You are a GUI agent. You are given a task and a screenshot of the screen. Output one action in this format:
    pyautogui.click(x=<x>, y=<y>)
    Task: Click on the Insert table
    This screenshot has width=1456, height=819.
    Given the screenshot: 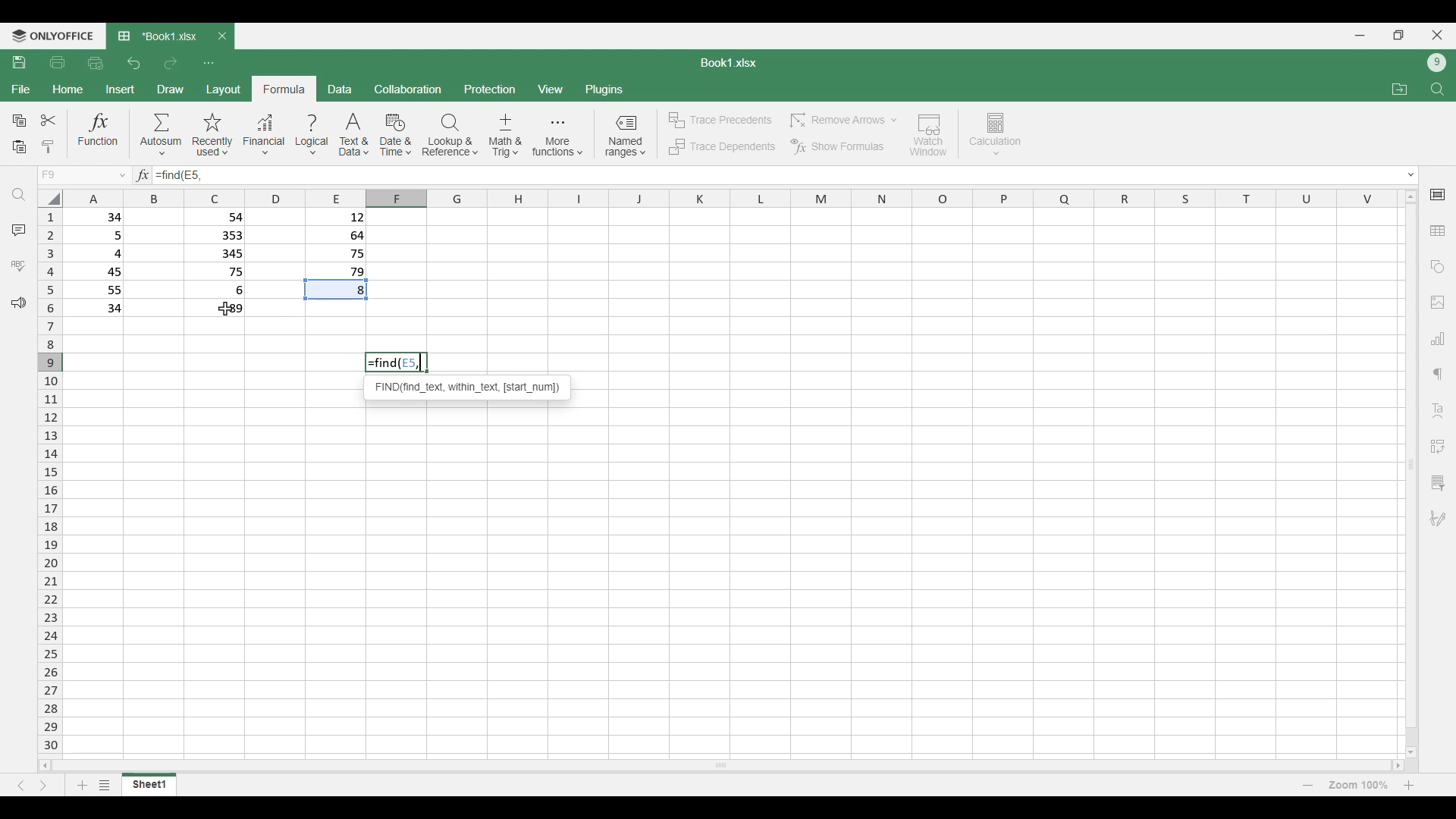 What is the action you would take?
    pyautogui.click(x=1438, y=231)
    